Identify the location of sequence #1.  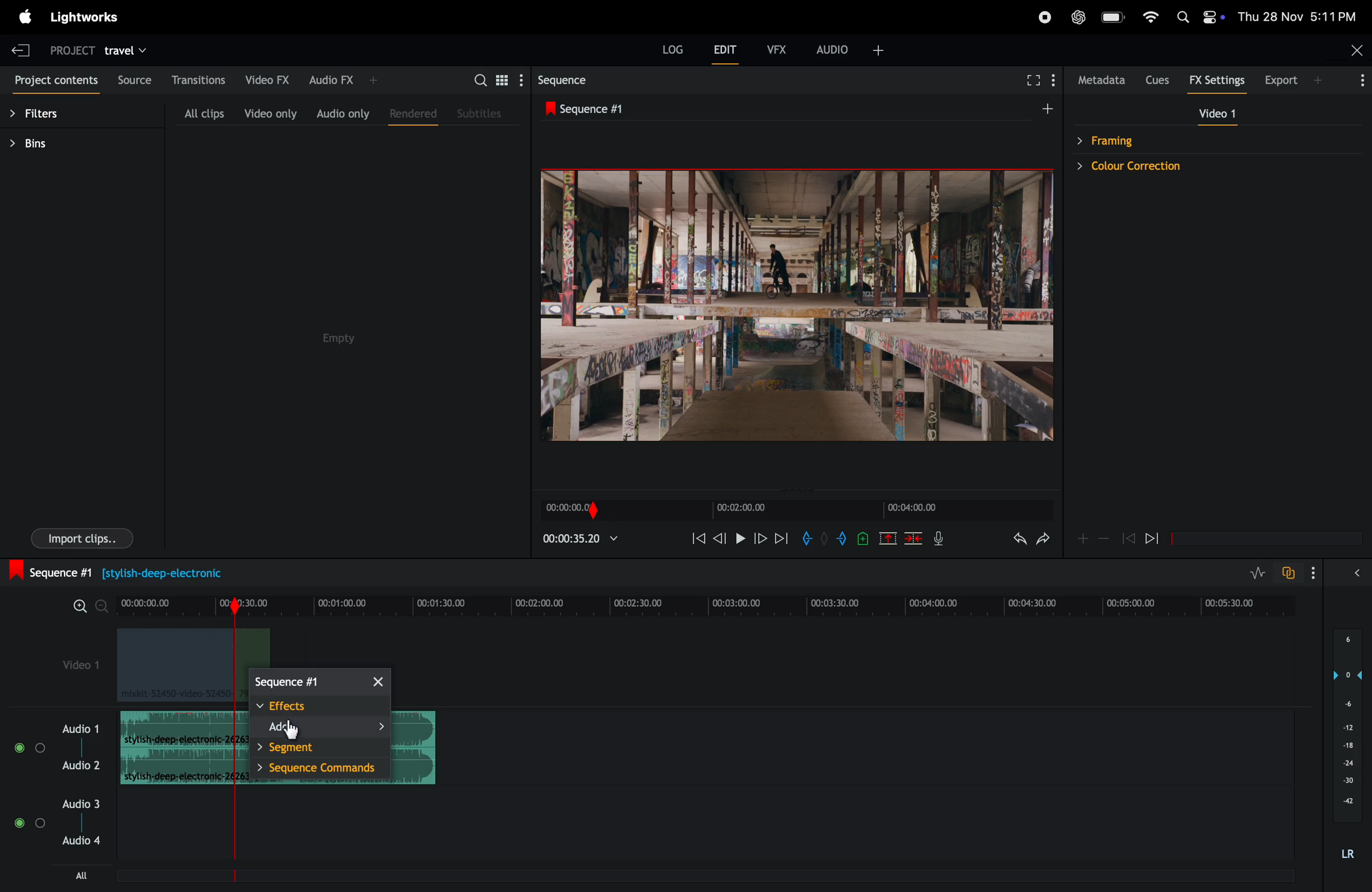
(114, 572).